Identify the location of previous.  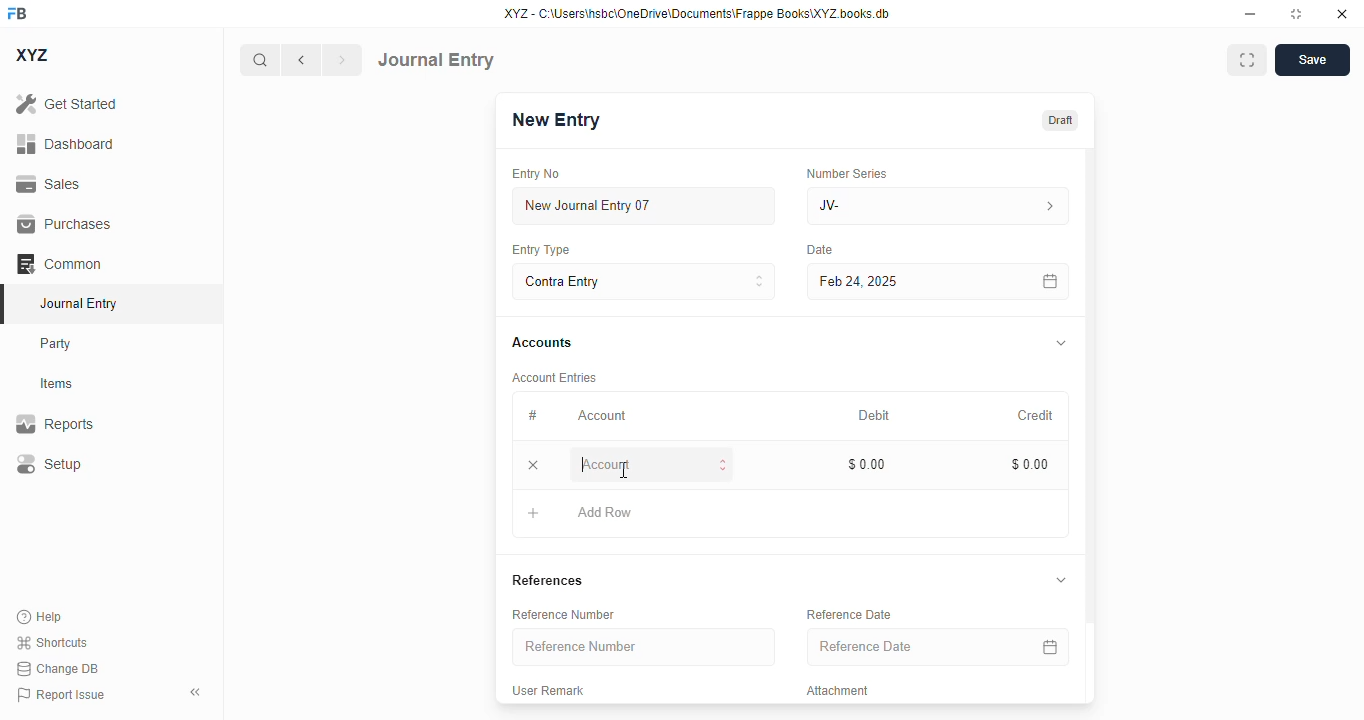
(301, 60).